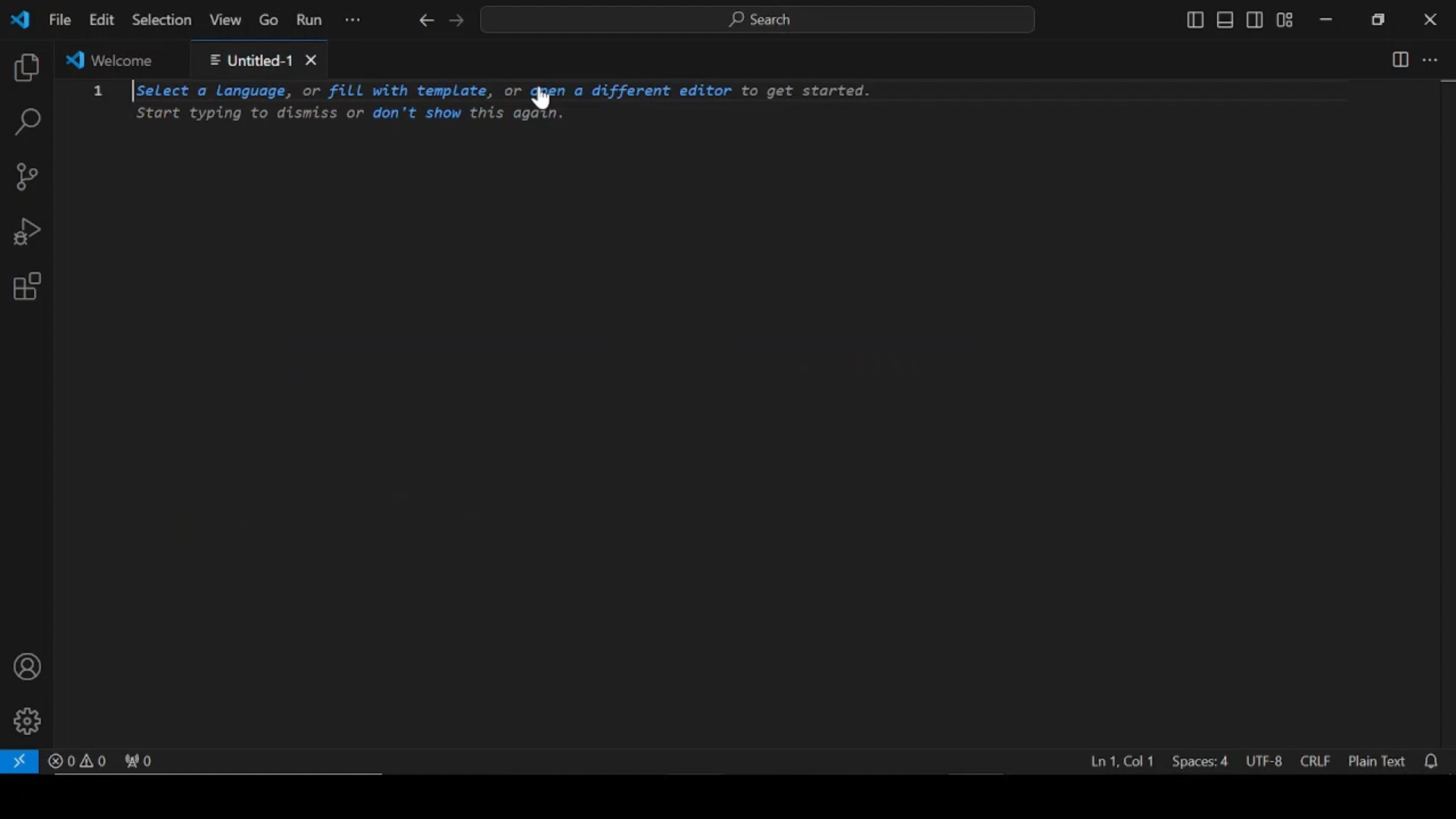 The image size is (1456, 819). I want to click on no ports forwarded, so click(140, 761).